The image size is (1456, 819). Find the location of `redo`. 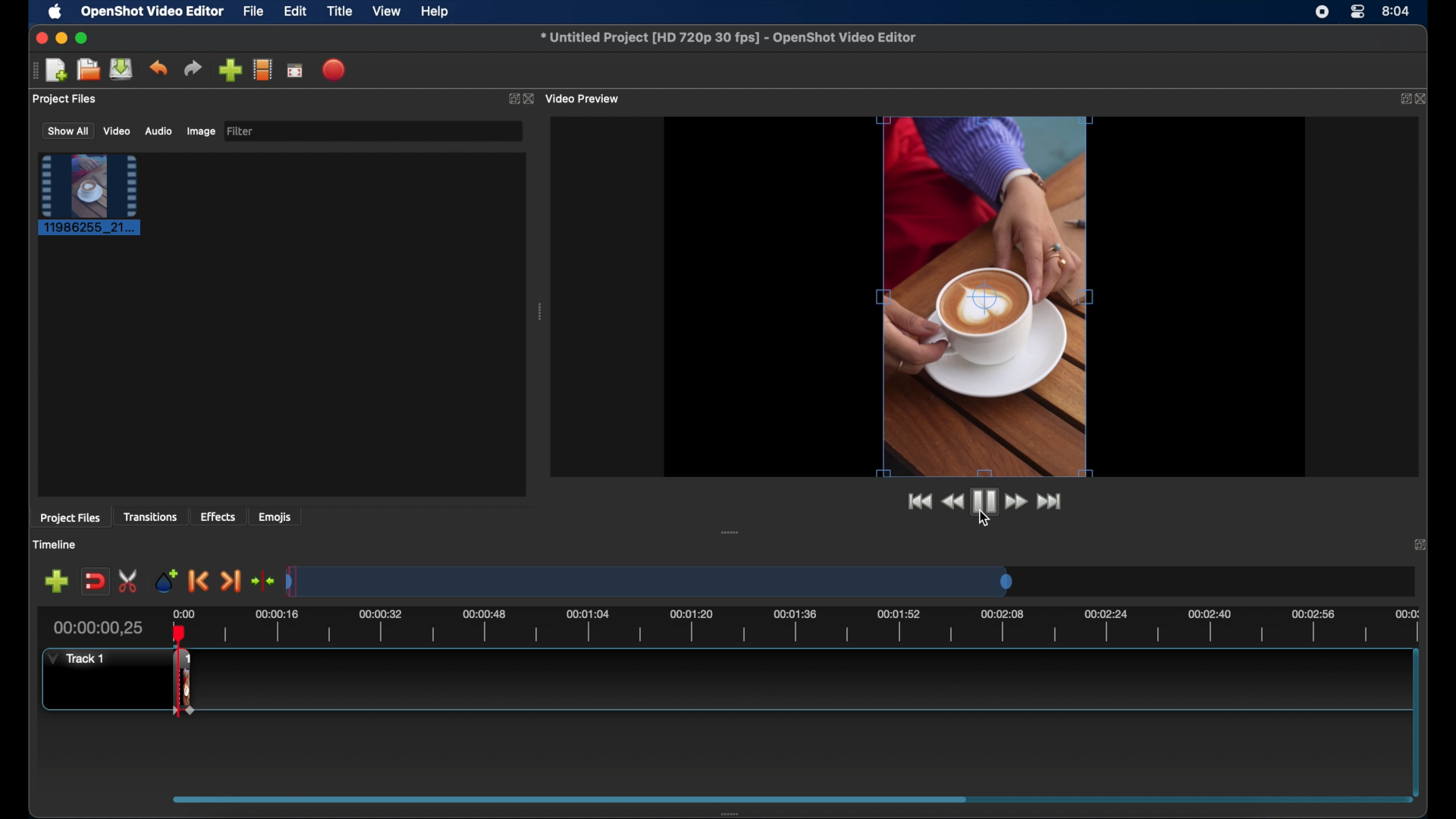

redo is located at coordinates (193, 67).